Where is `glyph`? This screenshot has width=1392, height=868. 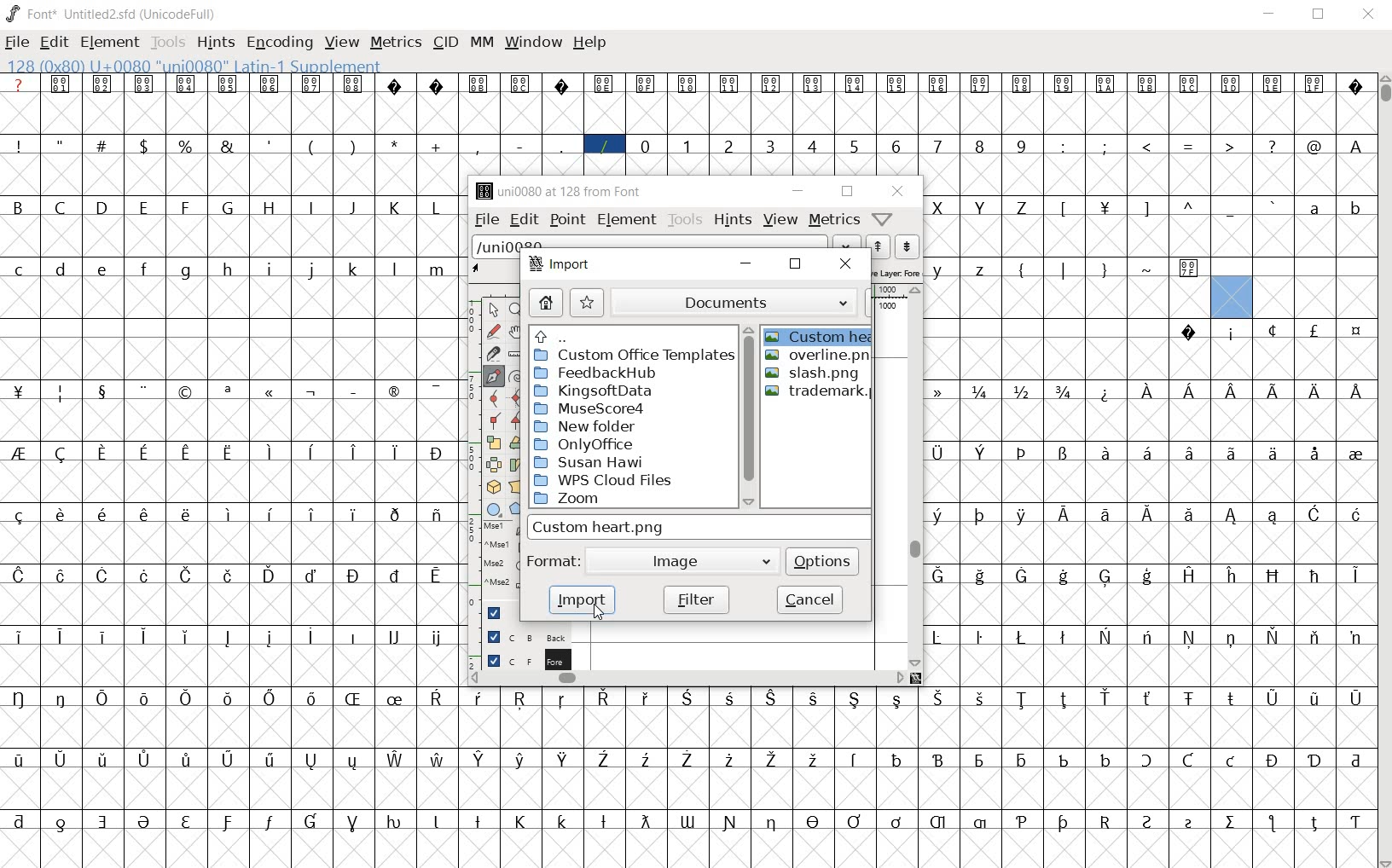
glyph is located at coordinates (939, 271).